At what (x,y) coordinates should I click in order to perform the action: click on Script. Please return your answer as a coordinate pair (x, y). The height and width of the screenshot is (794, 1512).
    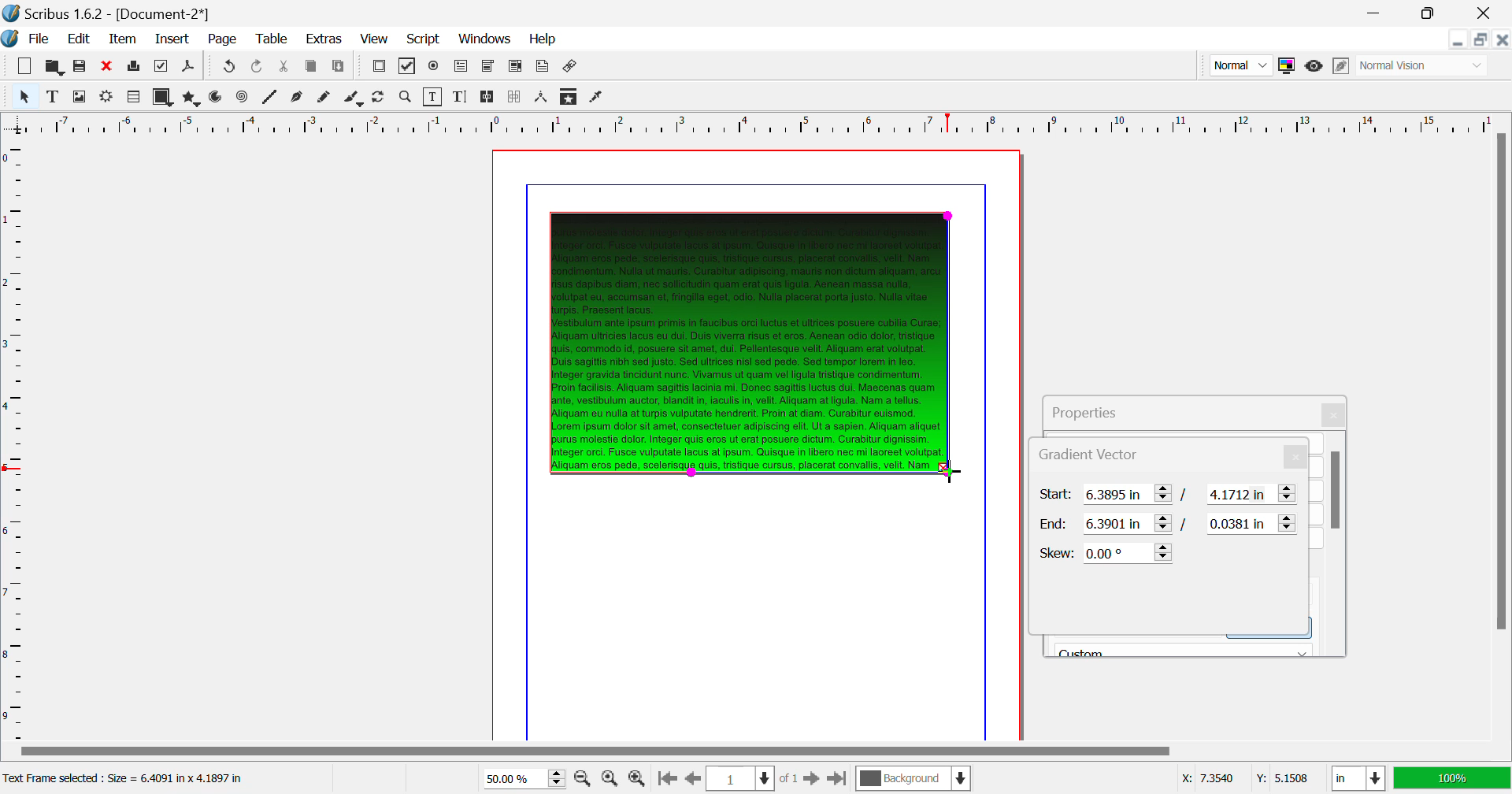
    Looking at the image, I should click on (424, 38).